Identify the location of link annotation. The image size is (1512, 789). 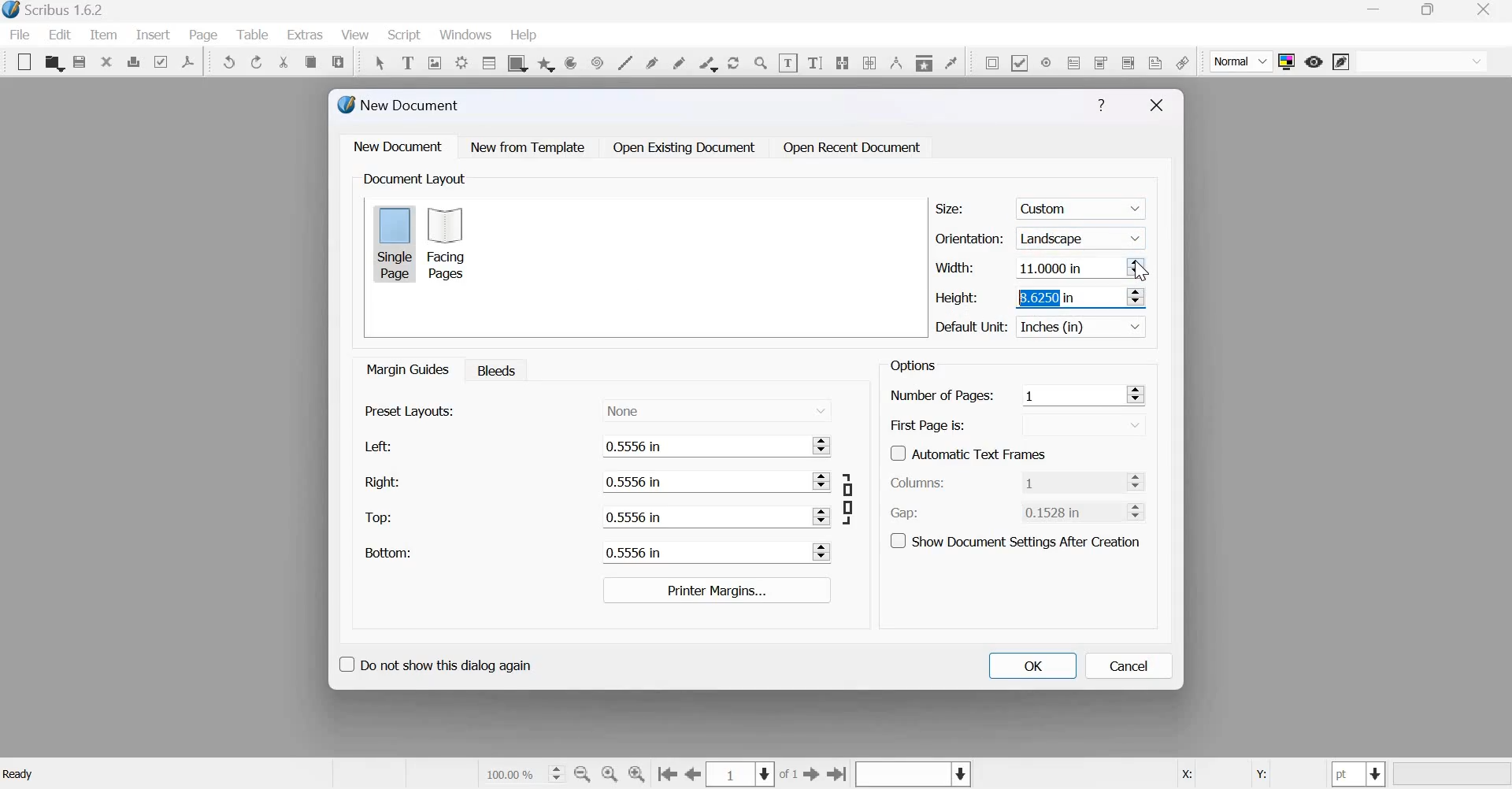
(1182, 62).